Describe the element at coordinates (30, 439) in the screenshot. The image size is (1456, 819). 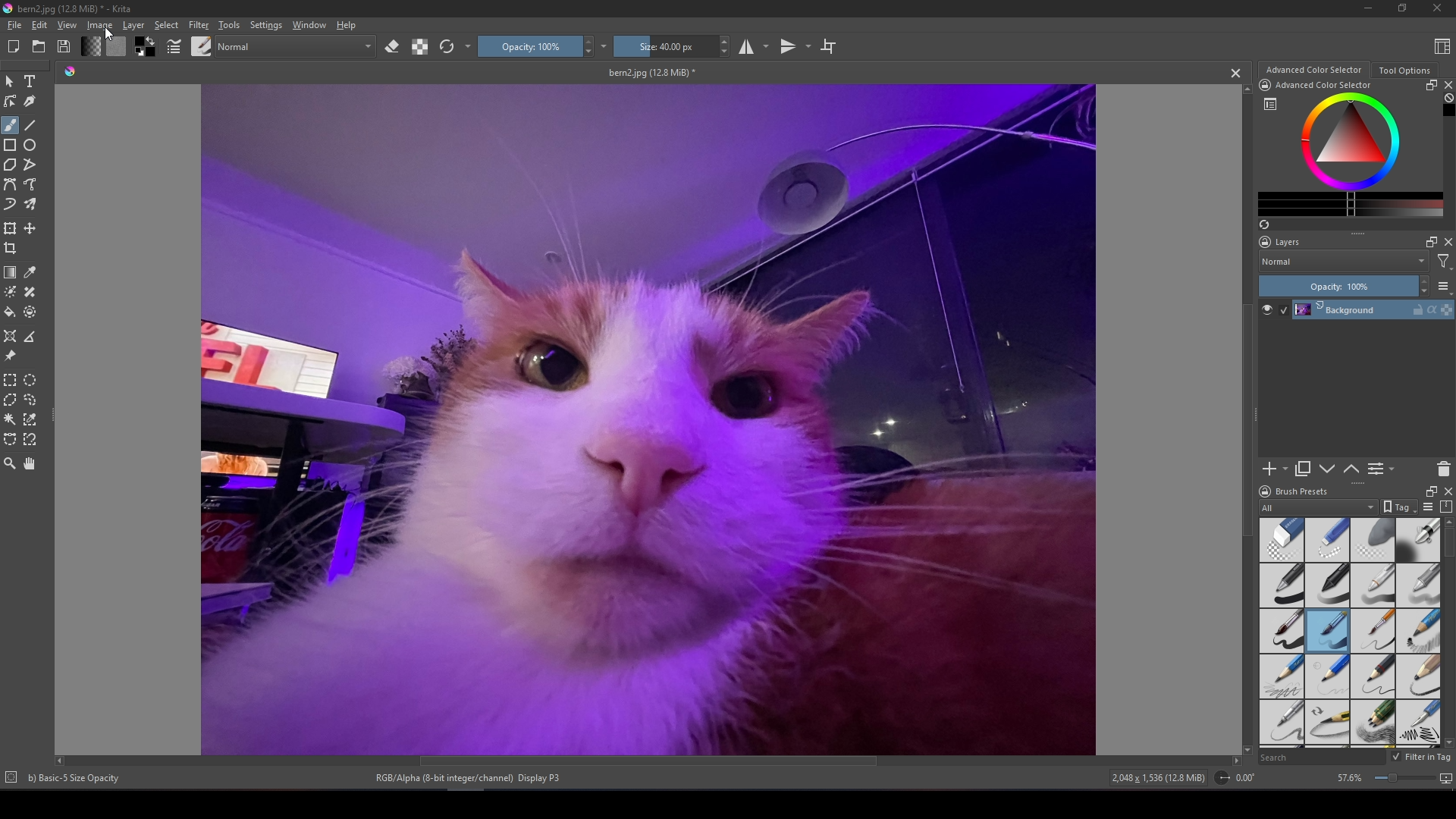
I see `Magnetic curve selection tool` at that location.